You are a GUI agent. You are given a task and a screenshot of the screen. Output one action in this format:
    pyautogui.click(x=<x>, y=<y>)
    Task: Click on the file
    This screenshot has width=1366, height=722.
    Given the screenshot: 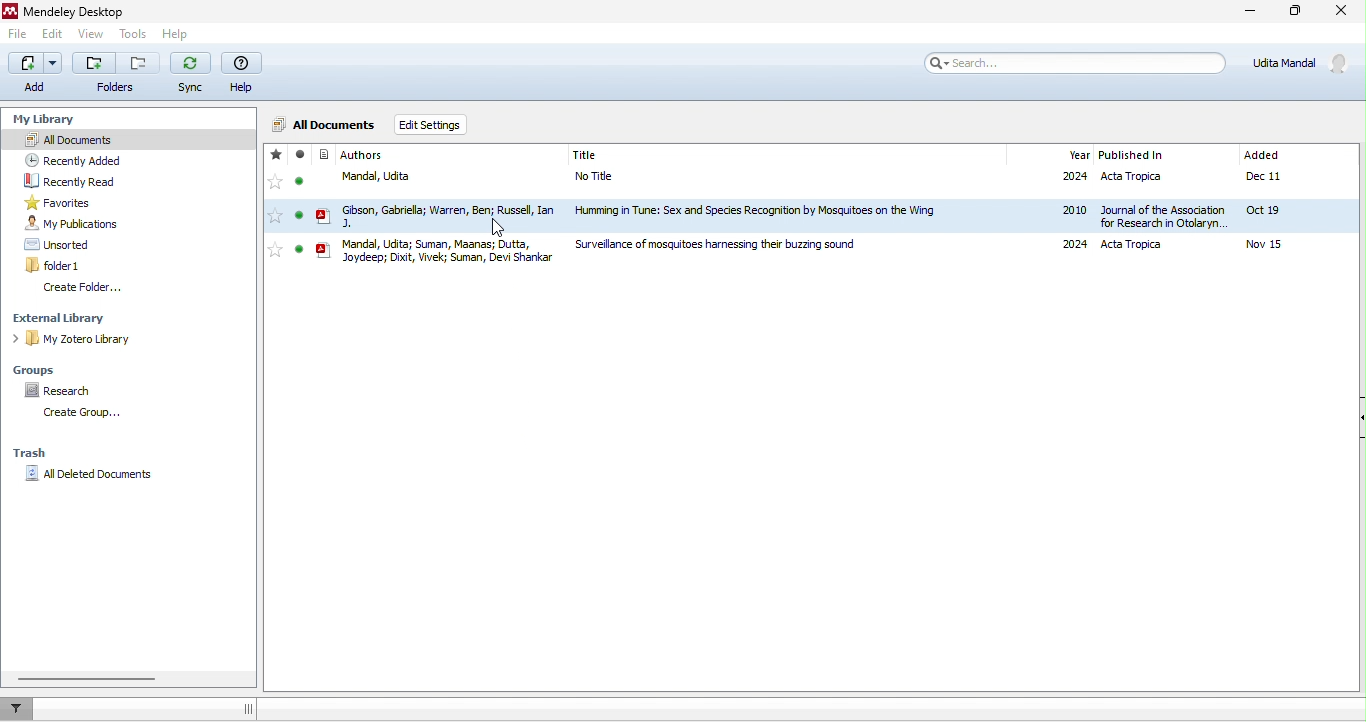 What is the action you would take?
    pyautogui.click(x=846, y=215)
    